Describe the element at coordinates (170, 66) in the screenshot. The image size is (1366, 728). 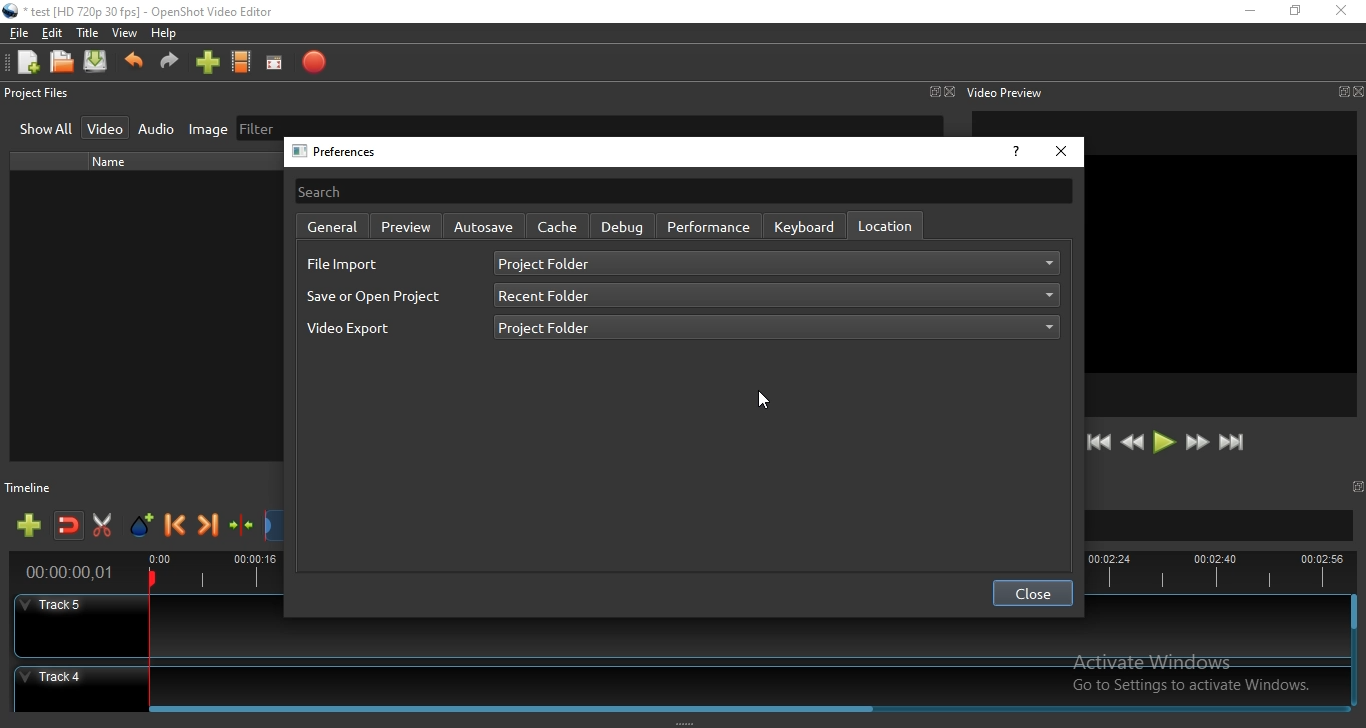
I see `Redo` at that location.